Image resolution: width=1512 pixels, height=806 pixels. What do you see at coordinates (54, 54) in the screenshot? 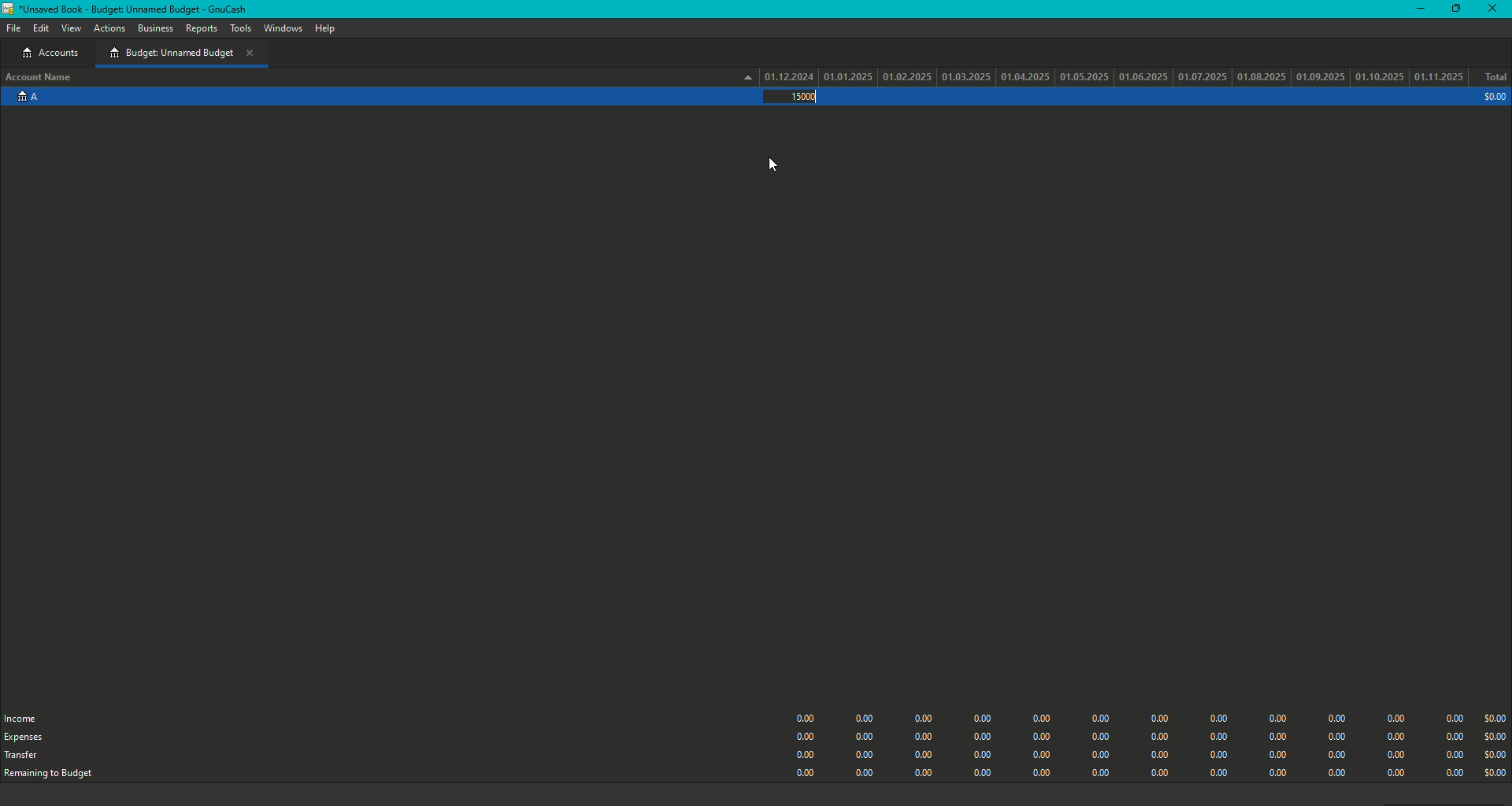
I see `Accounts` at bounding box center [54, 54].